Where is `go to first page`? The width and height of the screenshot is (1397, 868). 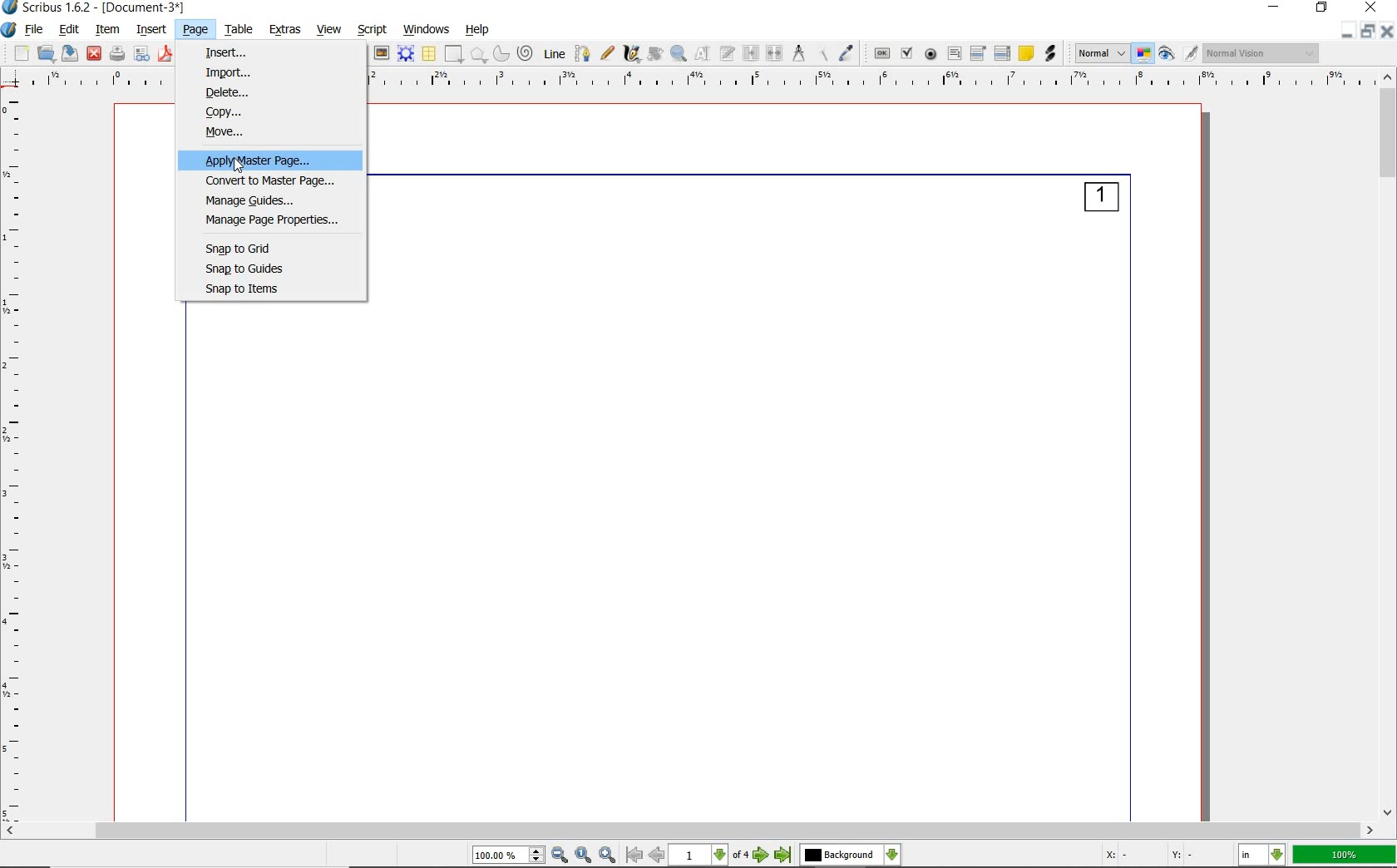
go to first page is located at coordinates (634, 856).